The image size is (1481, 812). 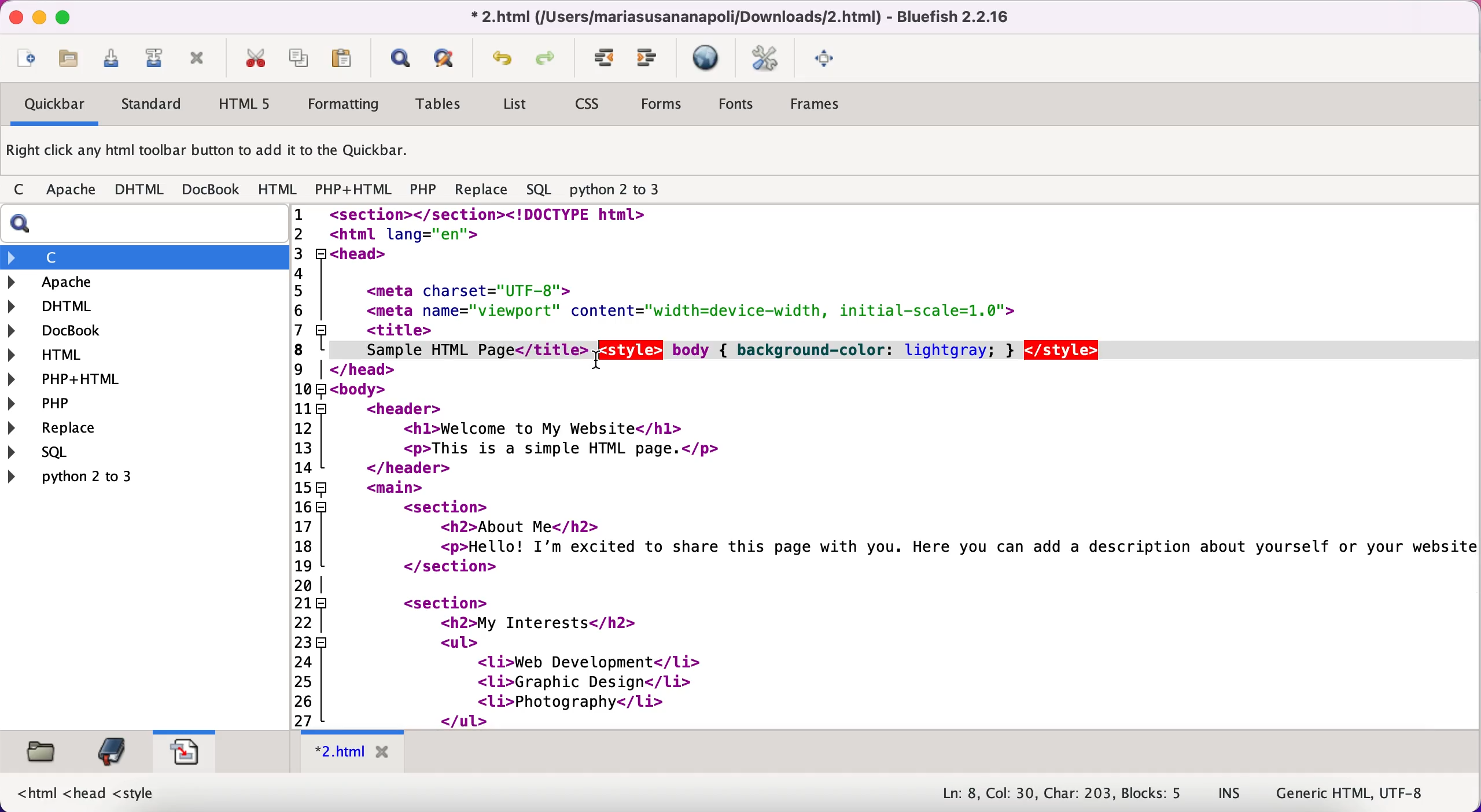 I want to click on sql, so click(x=91, y=452).